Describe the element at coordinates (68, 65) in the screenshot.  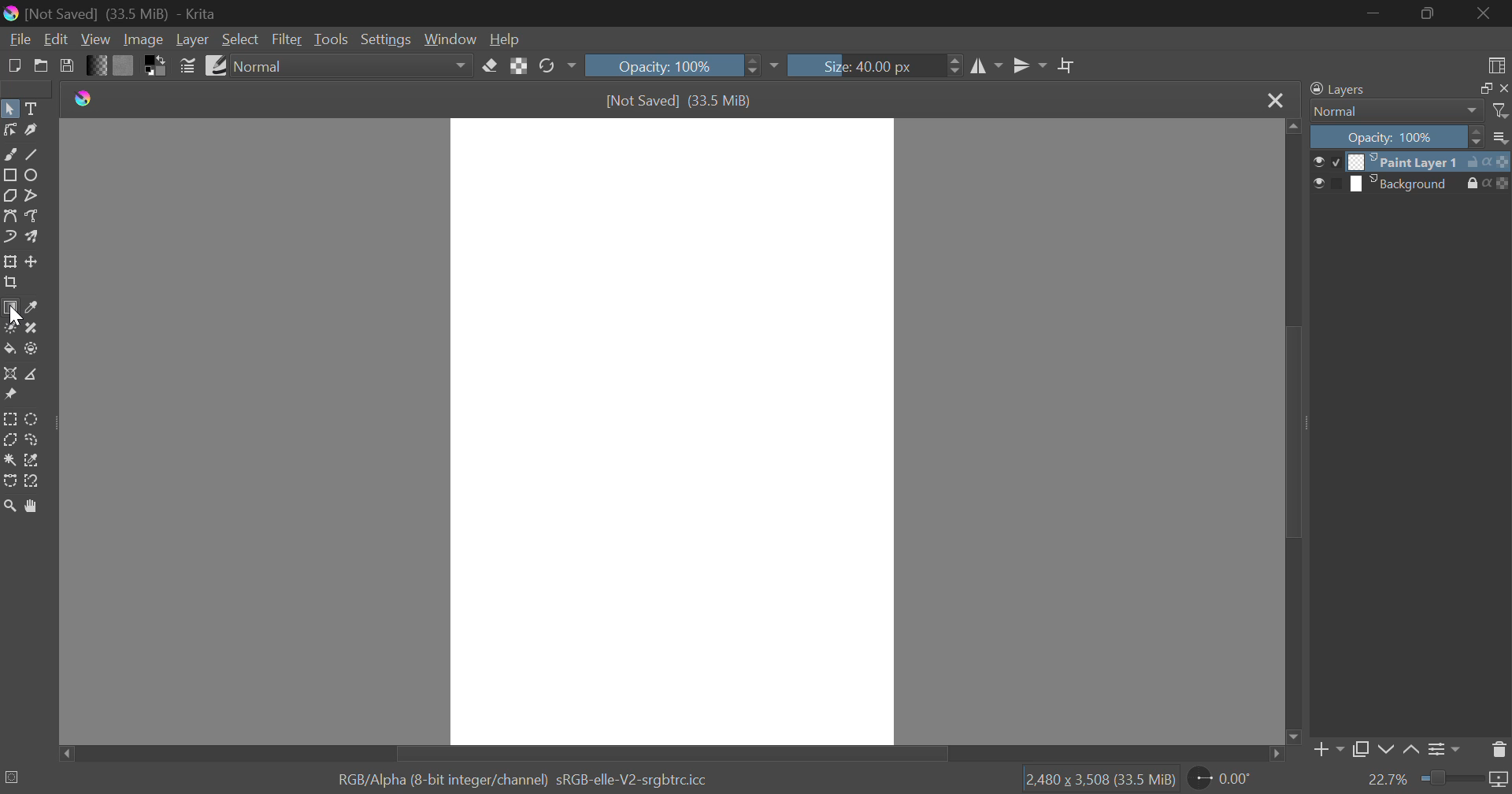
I see `Save` at that location.